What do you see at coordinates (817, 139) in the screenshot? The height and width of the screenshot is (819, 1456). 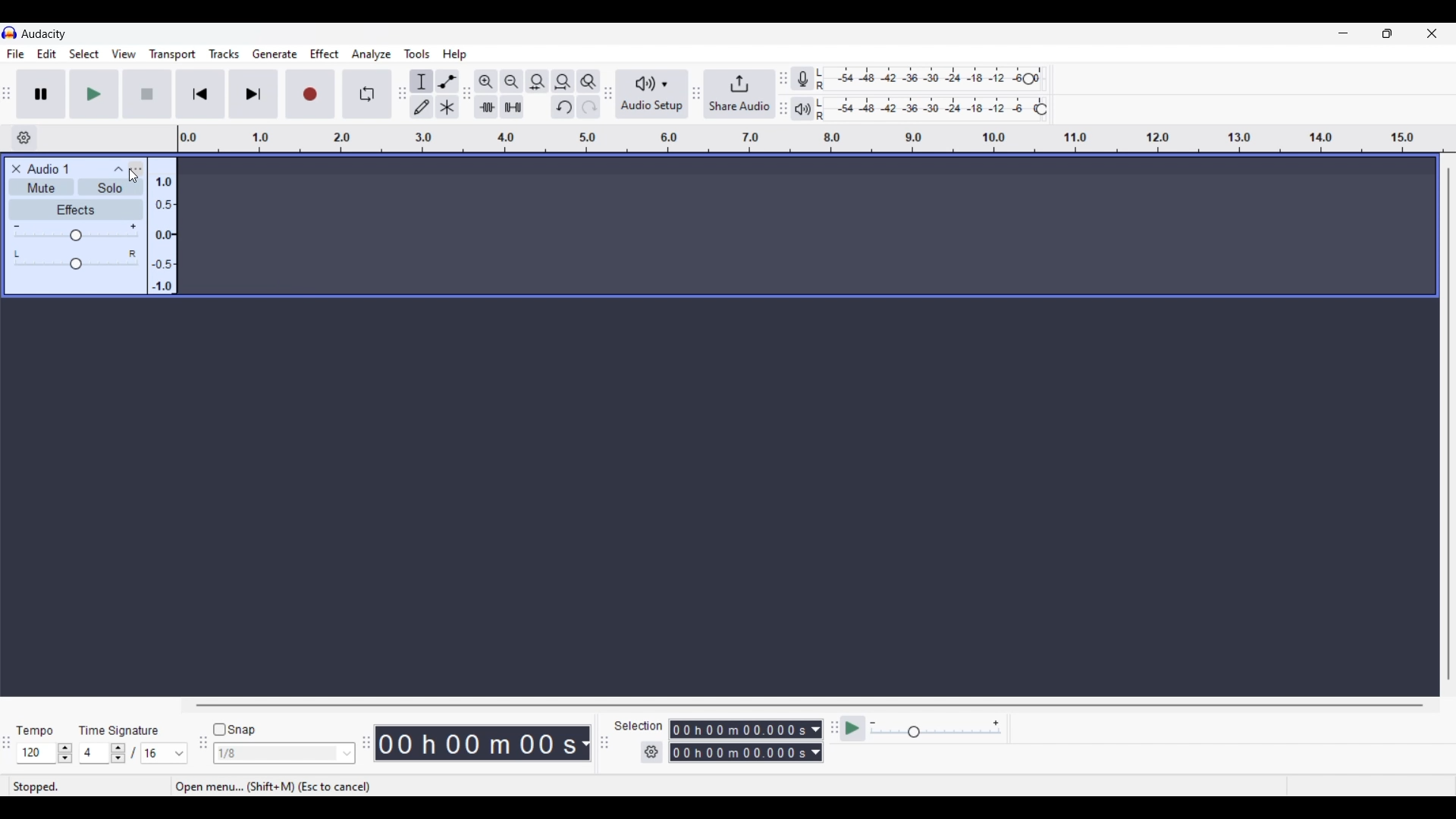 I see `Scale to measure audio length` at bounding box center [817, 139].